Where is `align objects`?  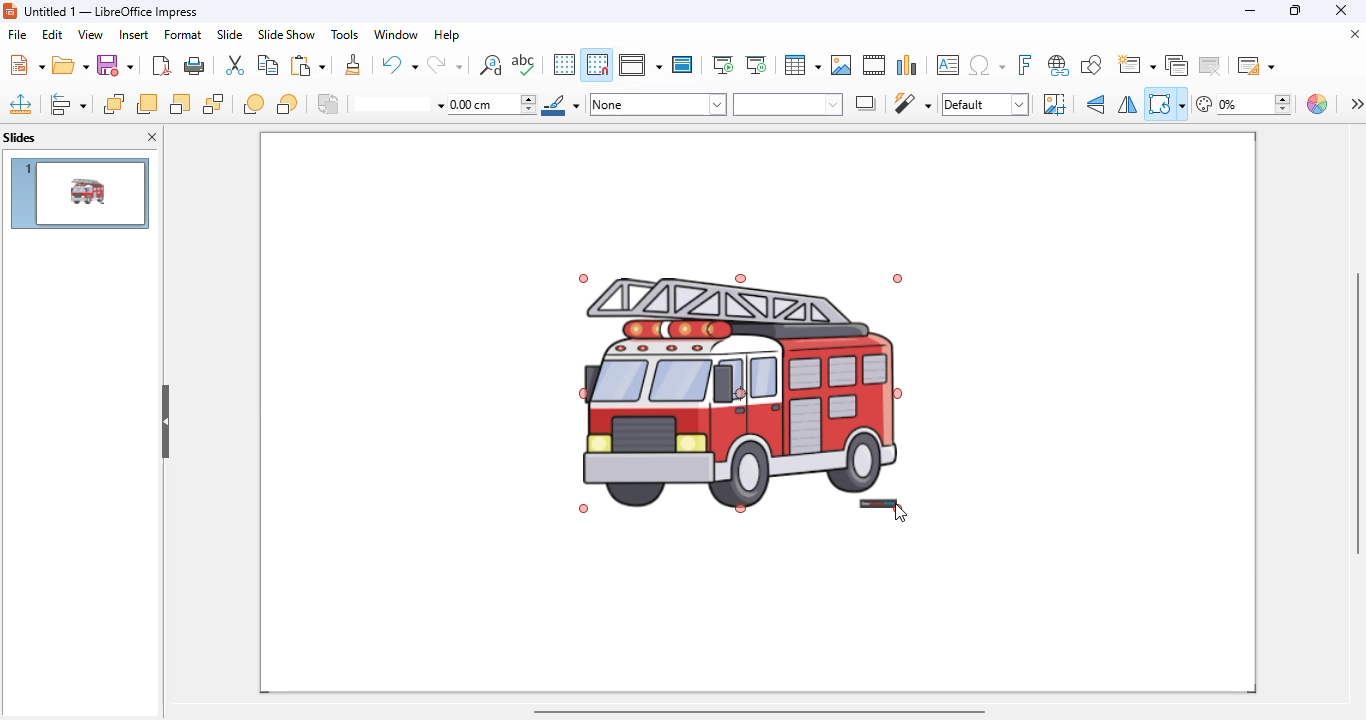
align objects is located at coordinates (68, 104).